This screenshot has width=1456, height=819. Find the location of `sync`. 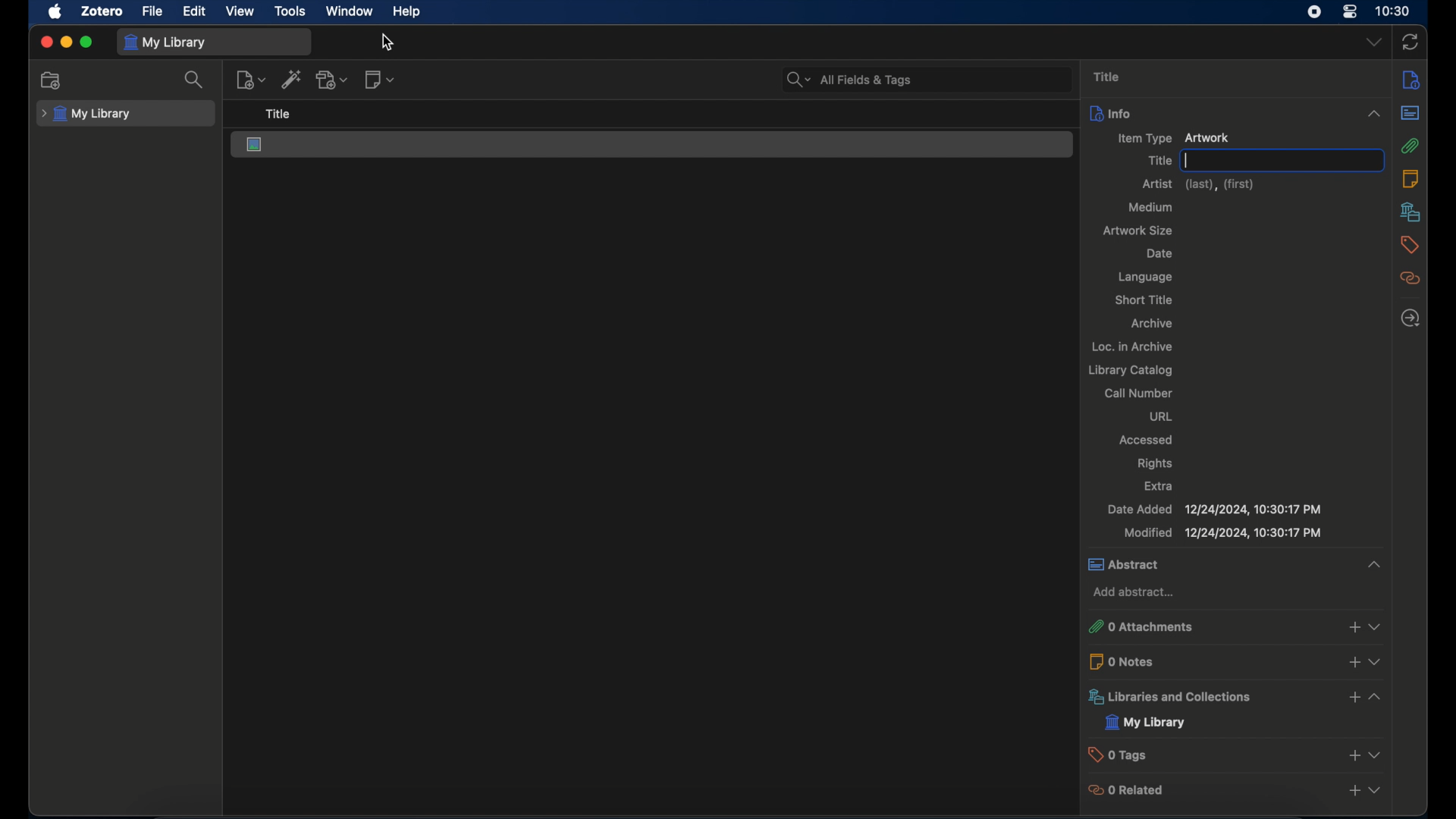

sync is located at coordinates (1411, 42).